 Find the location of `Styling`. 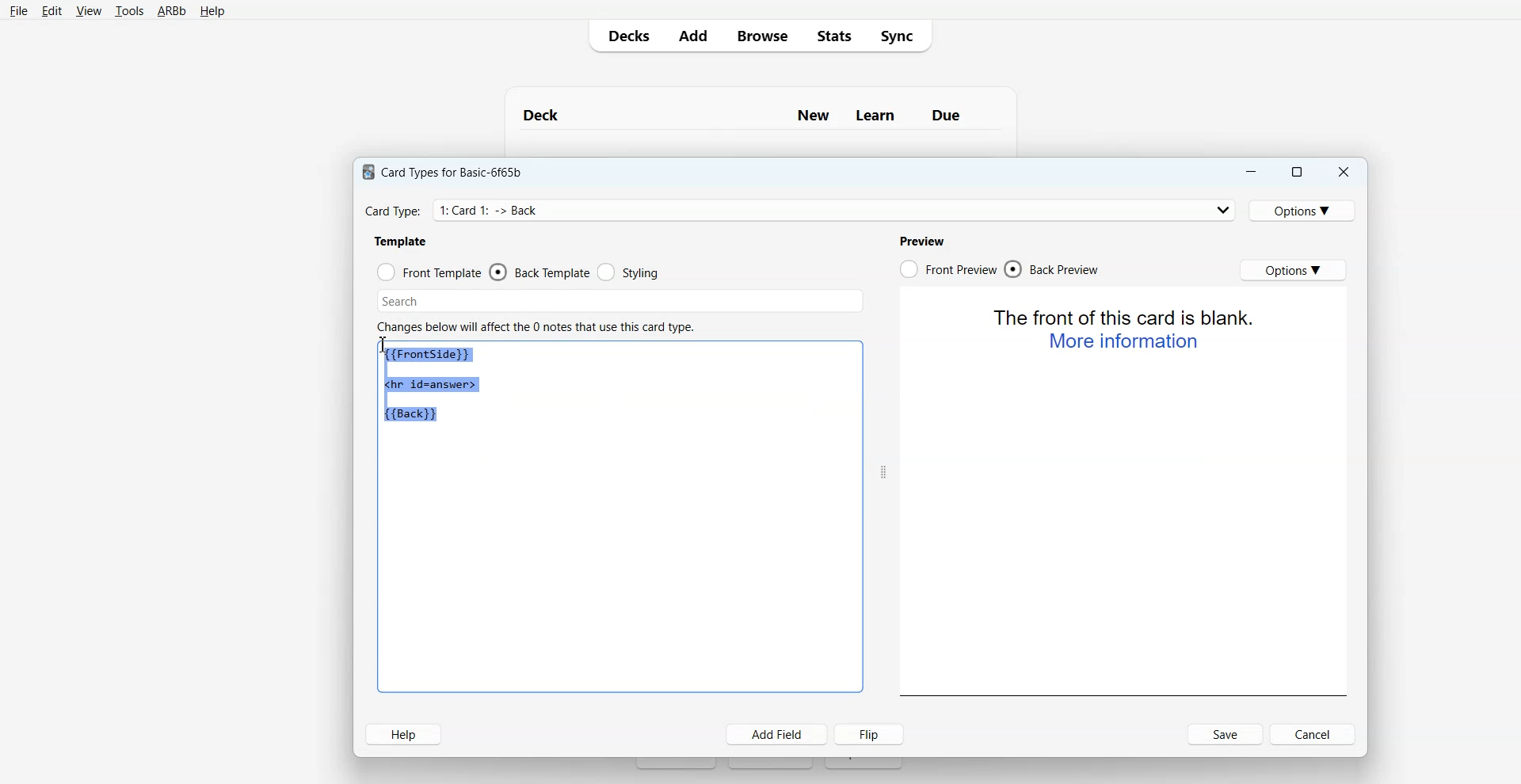

Styling is located at coordinates (628, 272).